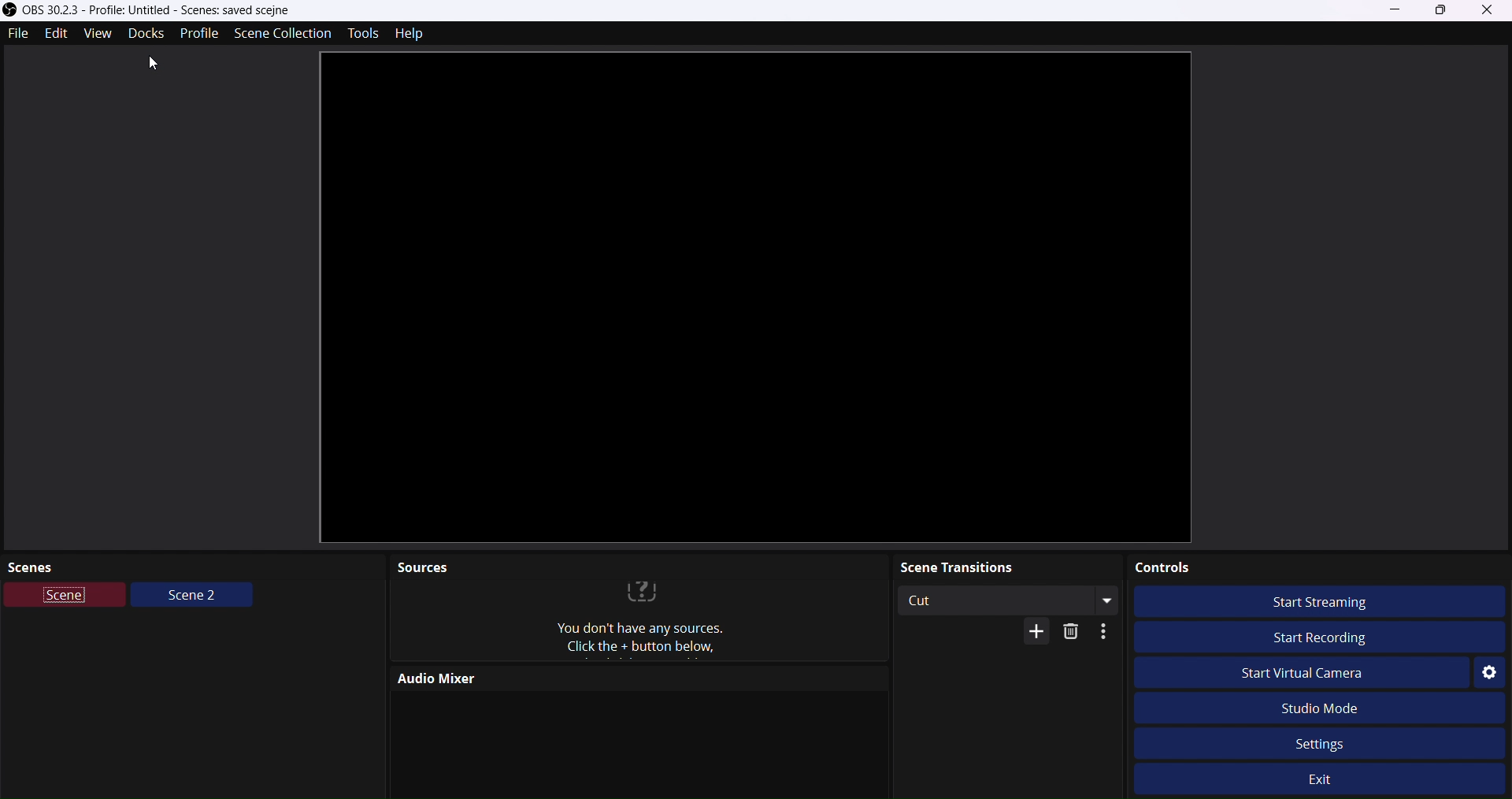 The height and width of the screenshot is (799, 1512). I want to click on Scene, so click(66, 597).